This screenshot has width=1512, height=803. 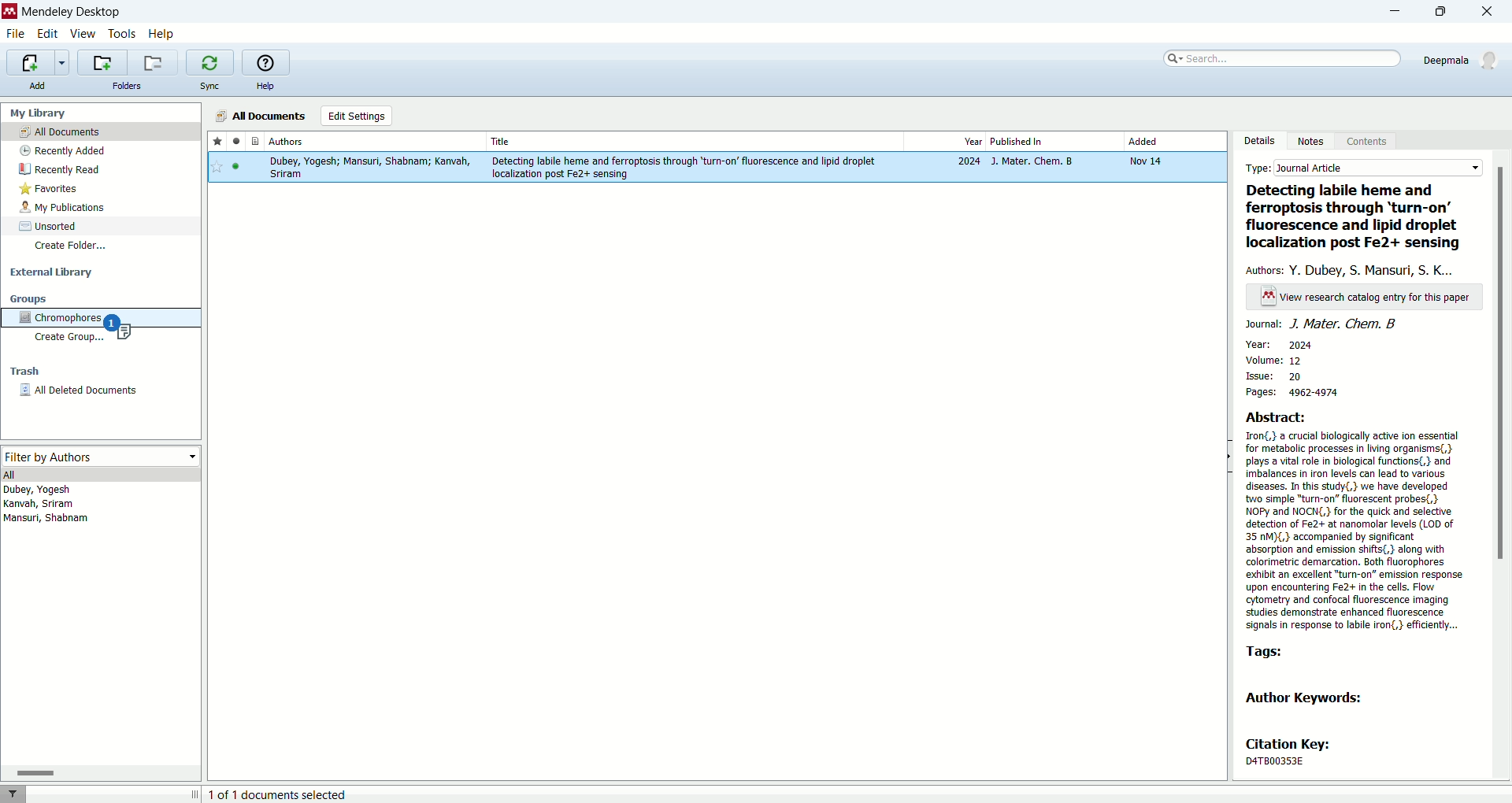 I want to click on create group, so click(x=73, y=339).